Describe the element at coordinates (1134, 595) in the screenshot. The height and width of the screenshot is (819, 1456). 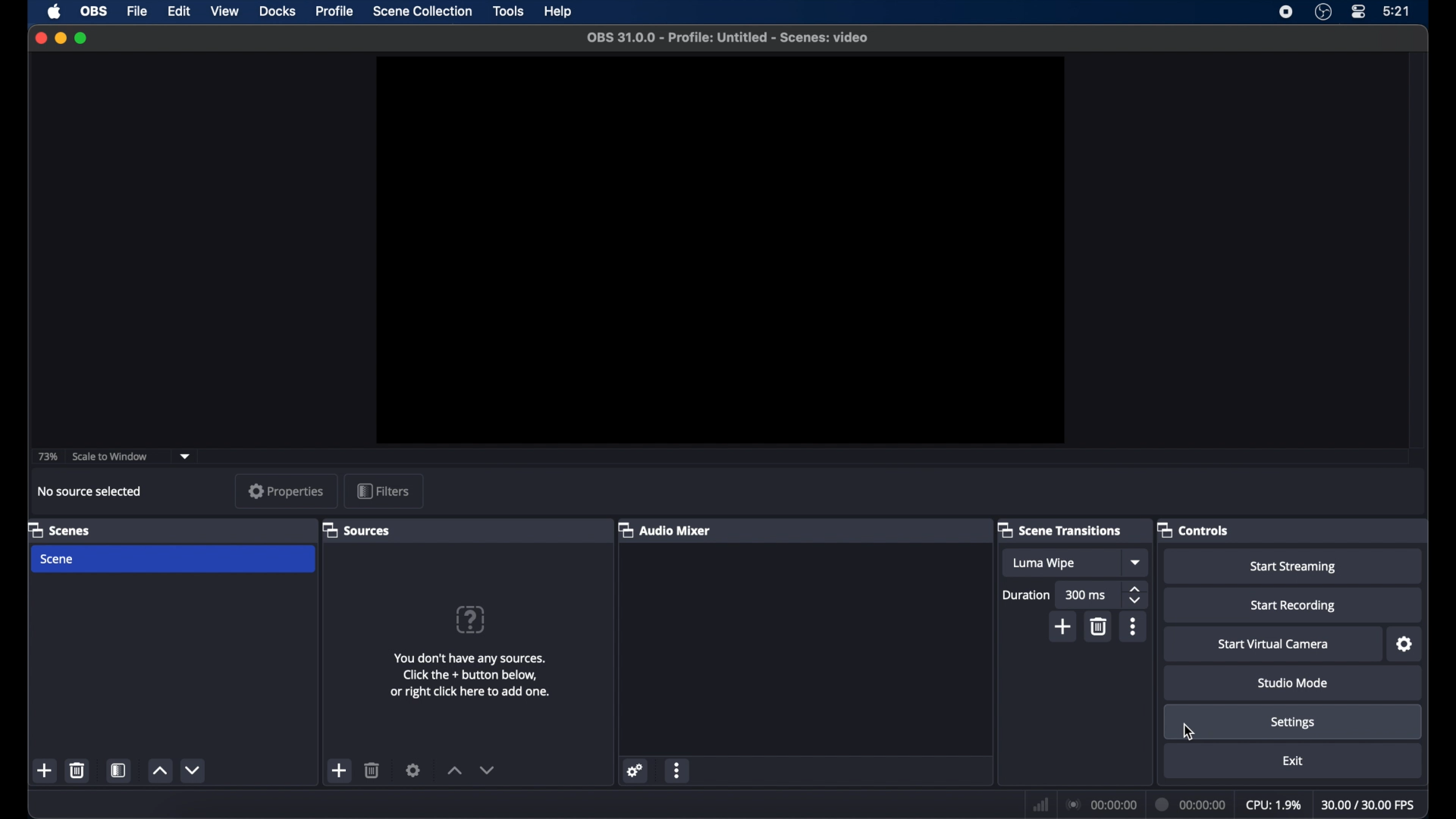
I see `stepper buttons` at that location.